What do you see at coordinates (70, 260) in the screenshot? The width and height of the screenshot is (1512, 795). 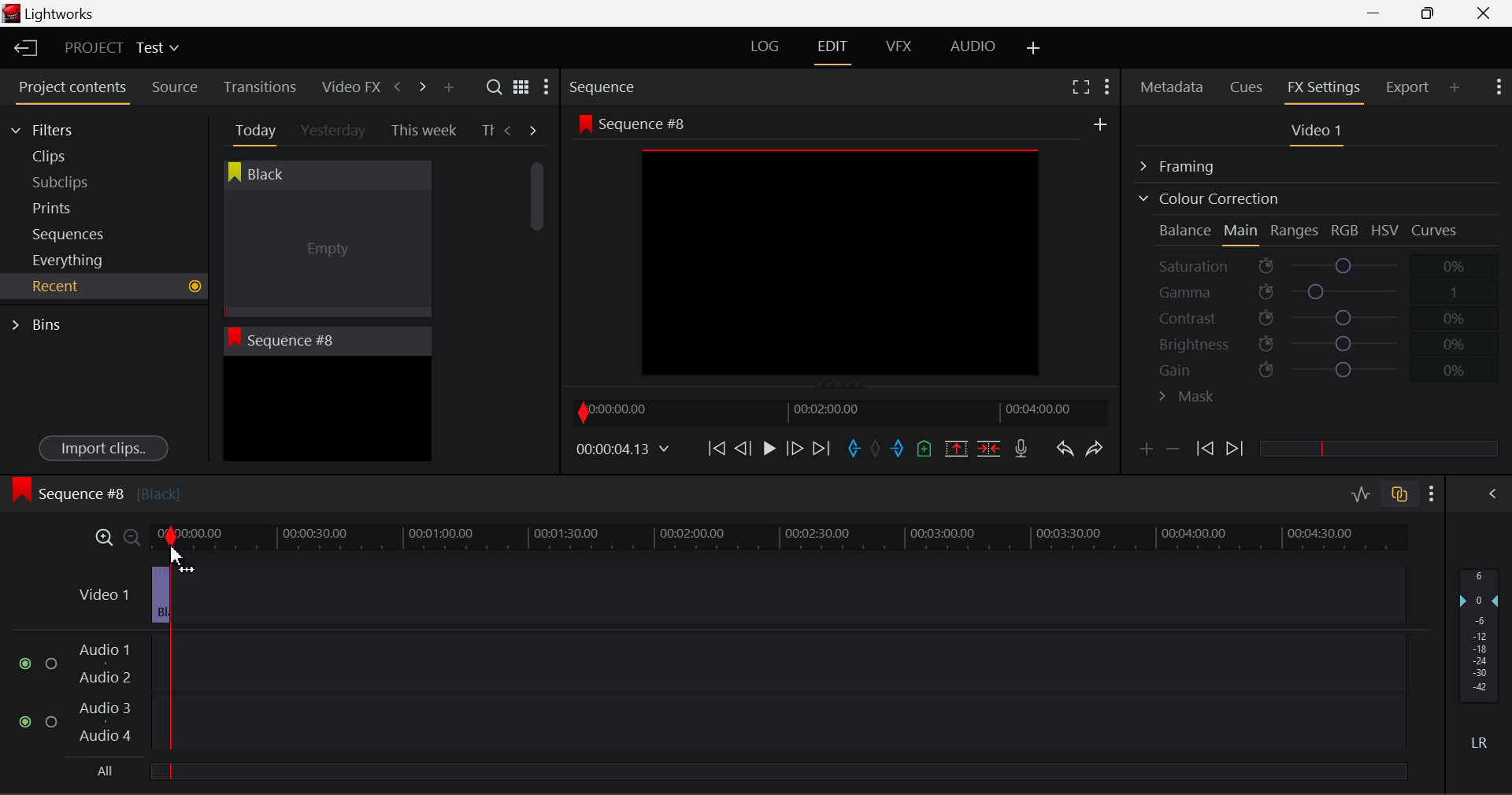 I see `Everything` at bounding box center [70, 260].